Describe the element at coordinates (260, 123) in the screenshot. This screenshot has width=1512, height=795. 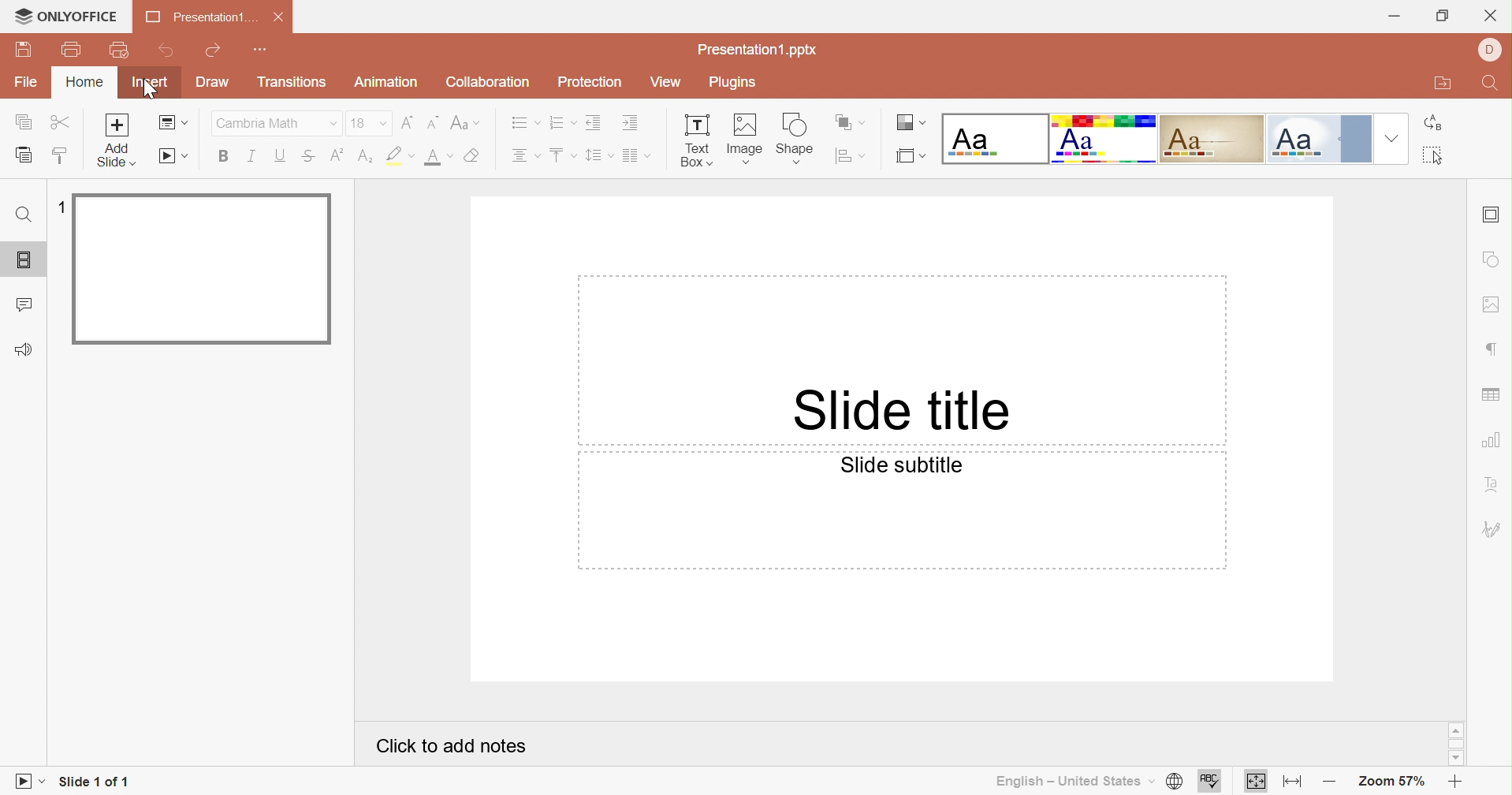
I see `Font` at that location.